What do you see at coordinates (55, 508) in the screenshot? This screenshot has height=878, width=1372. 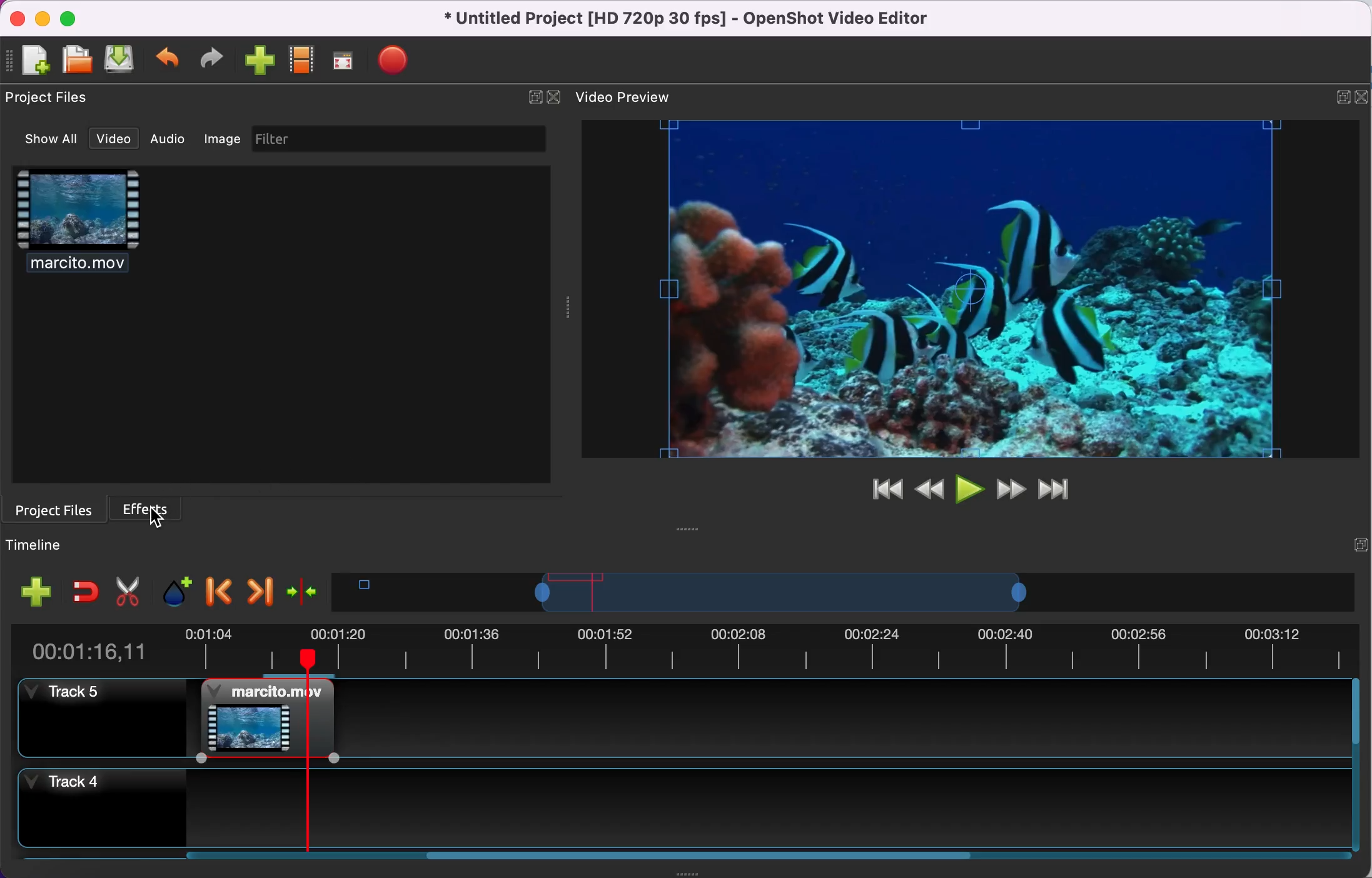 I see `project files` at bounding box center [55, 508].